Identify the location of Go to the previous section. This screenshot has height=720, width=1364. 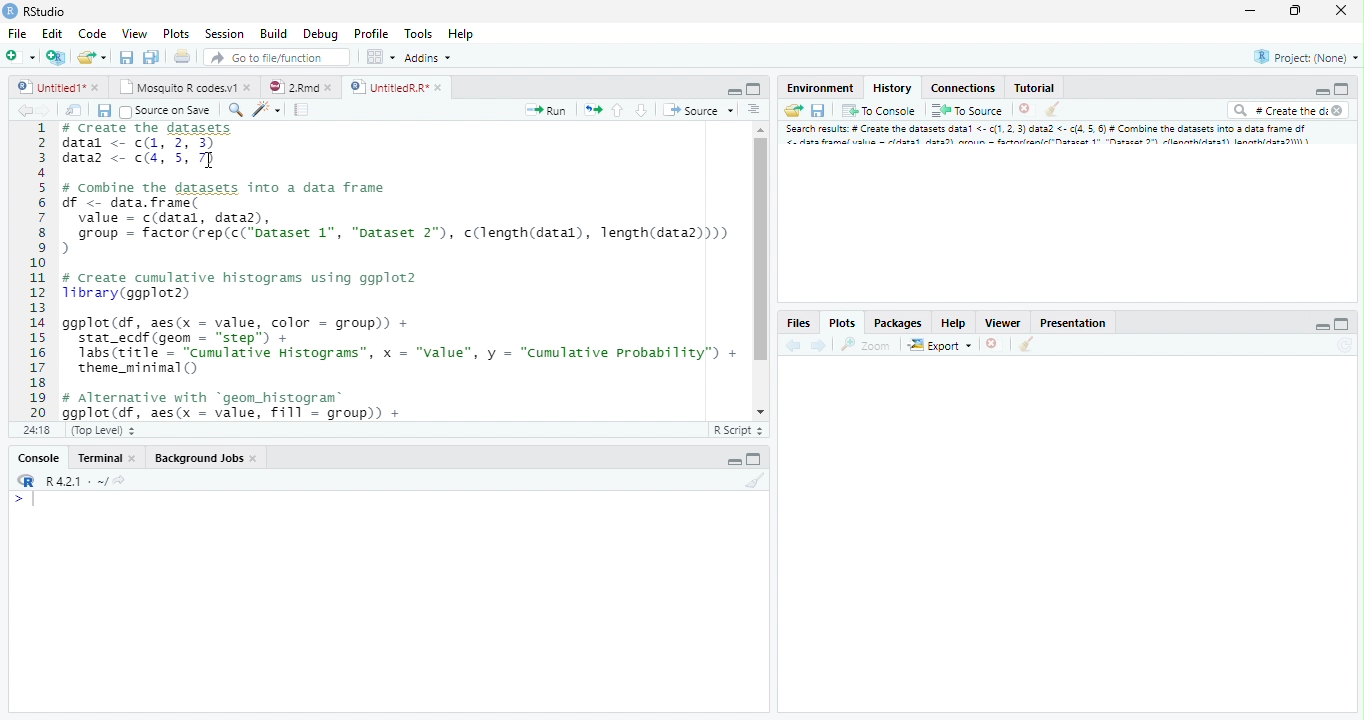
(619, 113).